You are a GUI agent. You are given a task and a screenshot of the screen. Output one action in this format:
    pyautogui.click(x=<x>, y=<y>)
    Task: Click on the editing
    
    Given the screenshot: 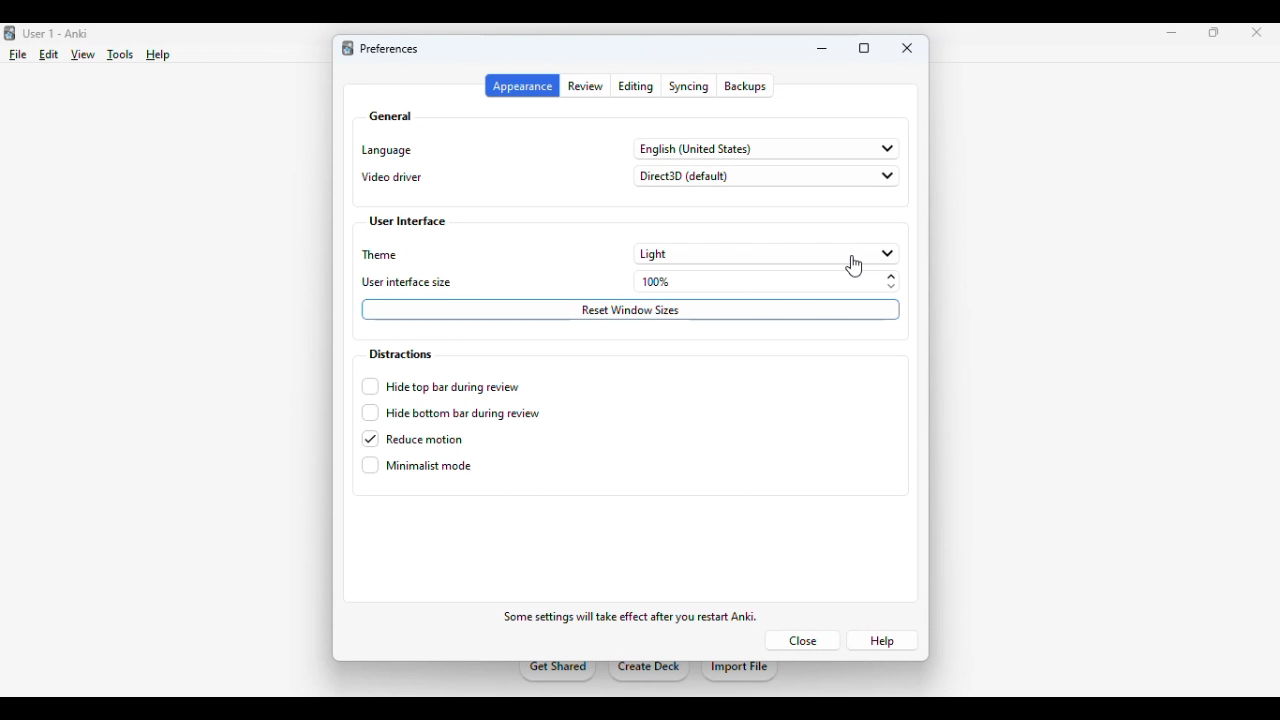 What is the action you would take?
    pyautogui.click(x=637, y=86)
    